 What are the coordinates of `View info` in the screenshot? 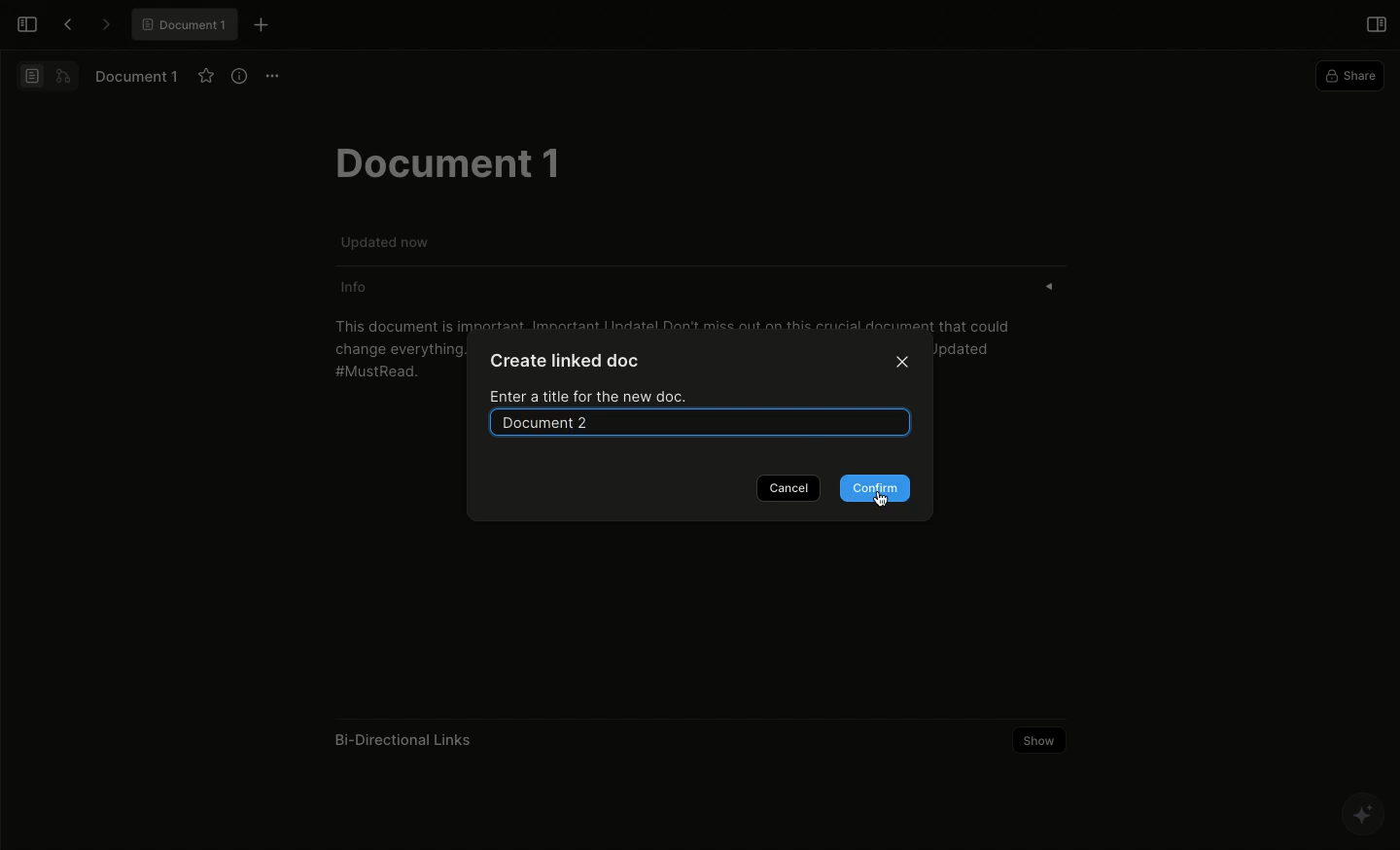 It's located at (236, 77).